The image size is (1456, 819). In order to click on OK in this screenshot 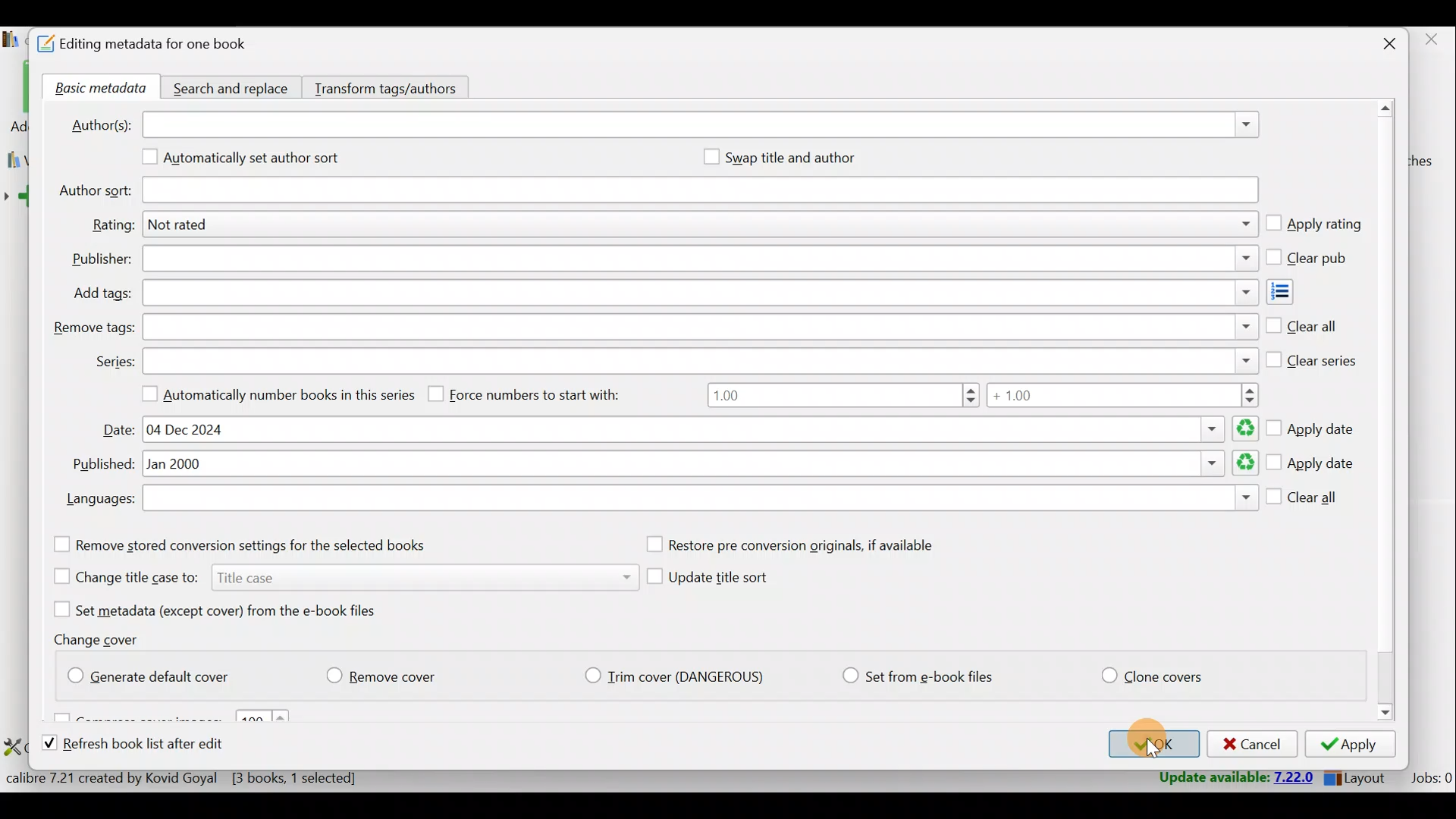, I will do `click(1150, 744)`.